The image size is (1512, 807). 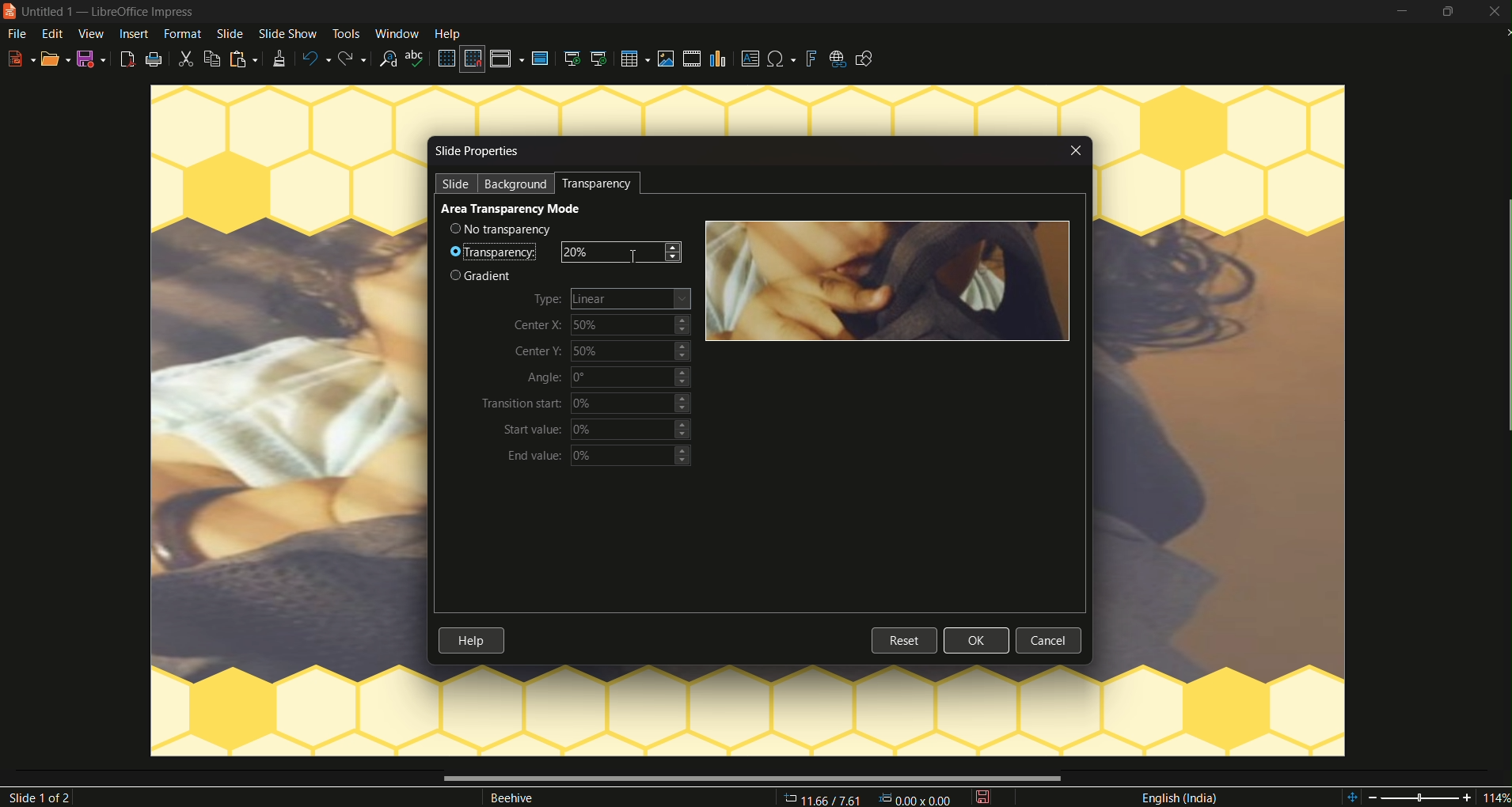 I want to click on help, so click(x=475, y=642).